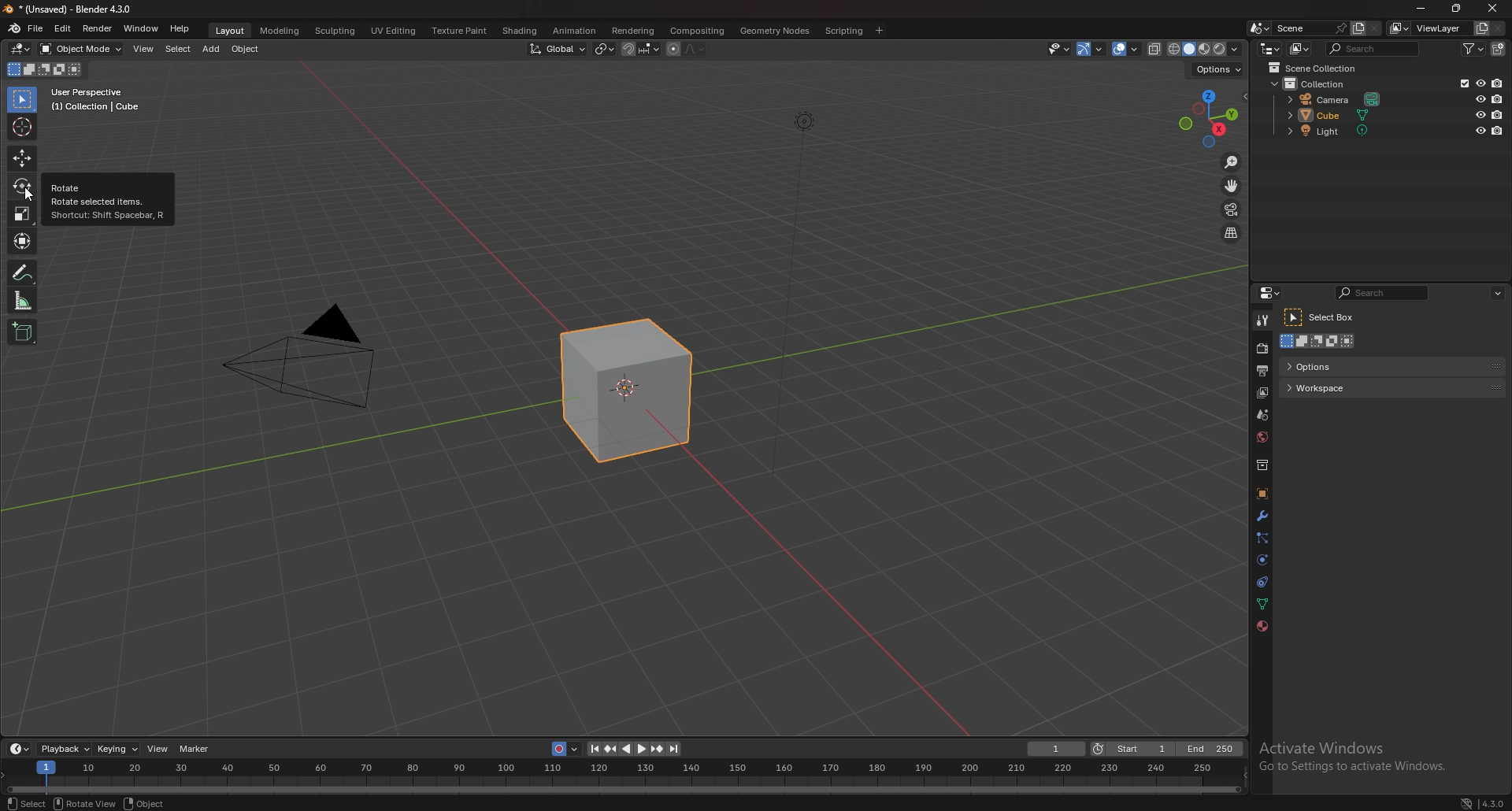  Describe the element at coordinates (1429, 28) in the screenshot. I see `view layer` at that location.